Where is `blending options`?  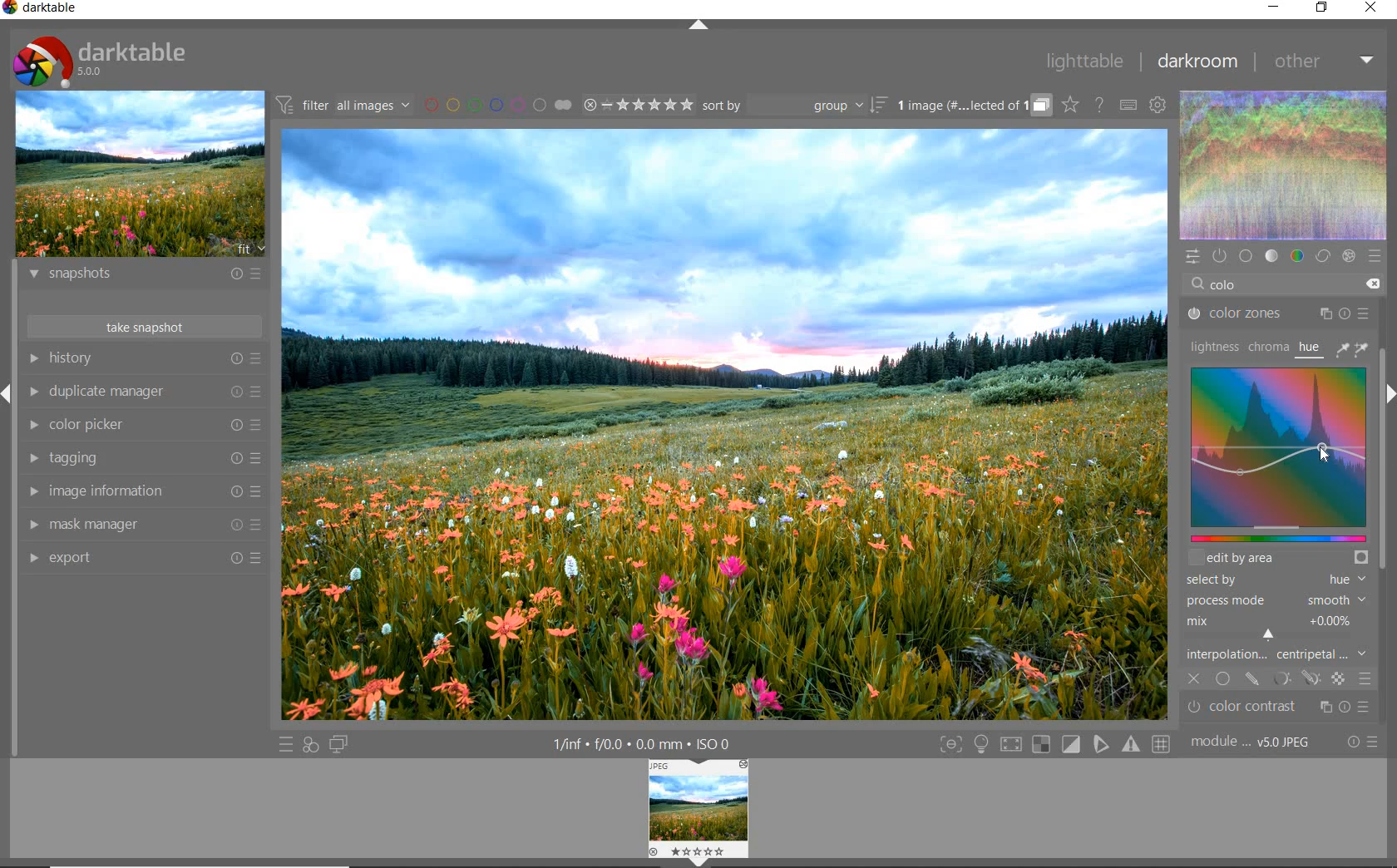 blending options is located at coordinates (1365, 677).